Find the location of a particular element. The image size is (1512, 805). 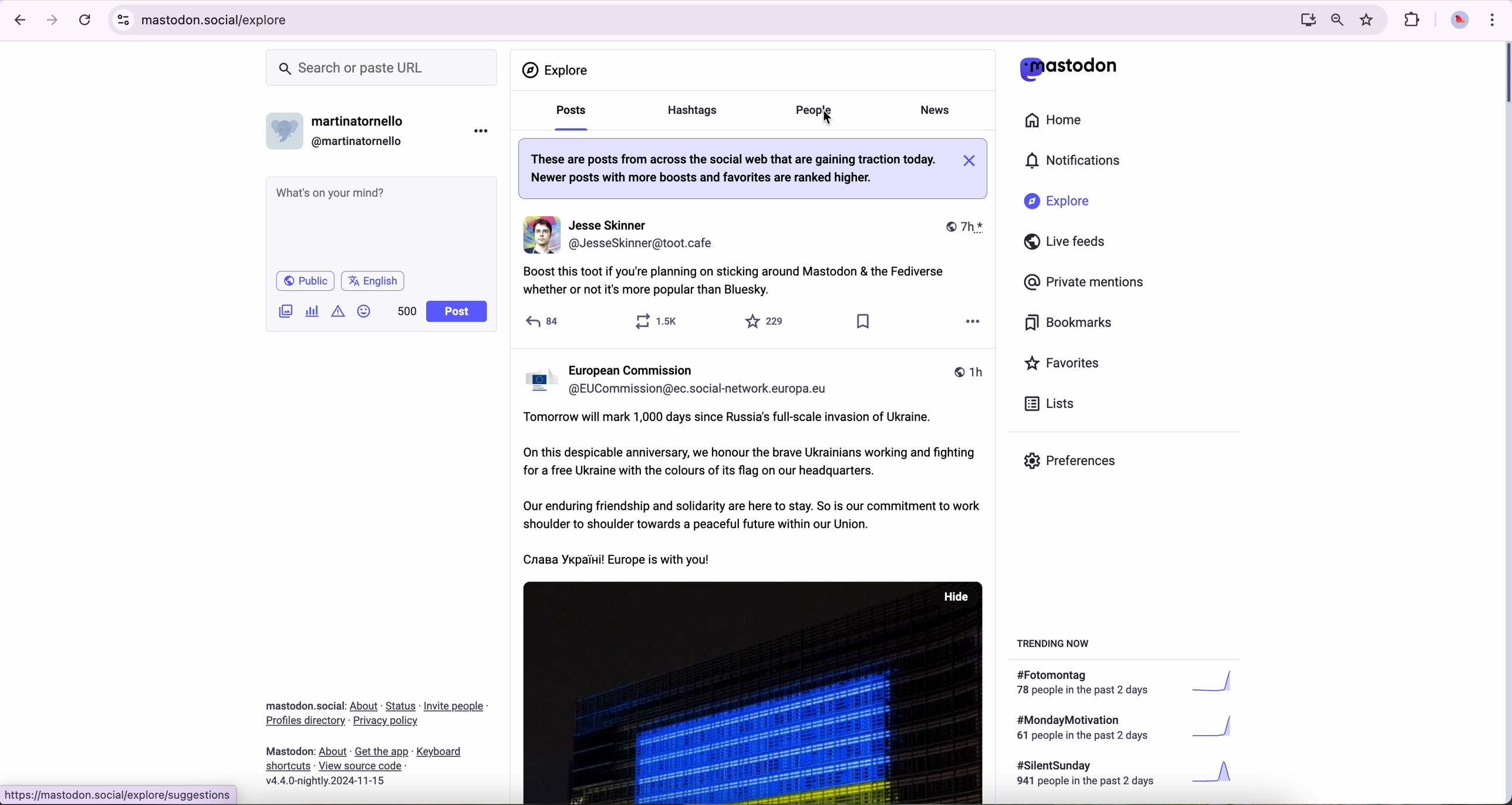

favorites is located at coordinates (1067, 365).